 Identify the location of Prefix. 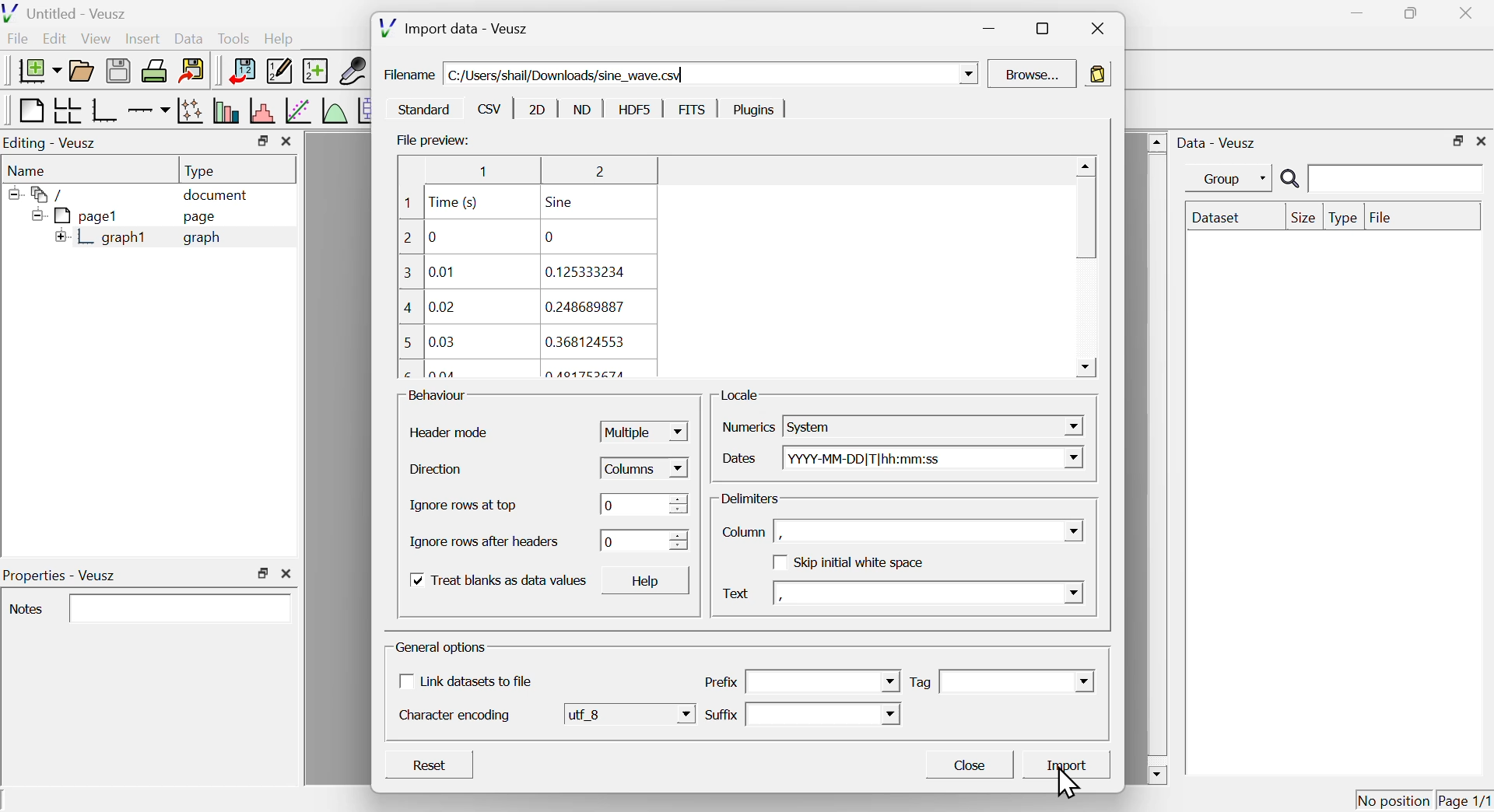
(721, 682).